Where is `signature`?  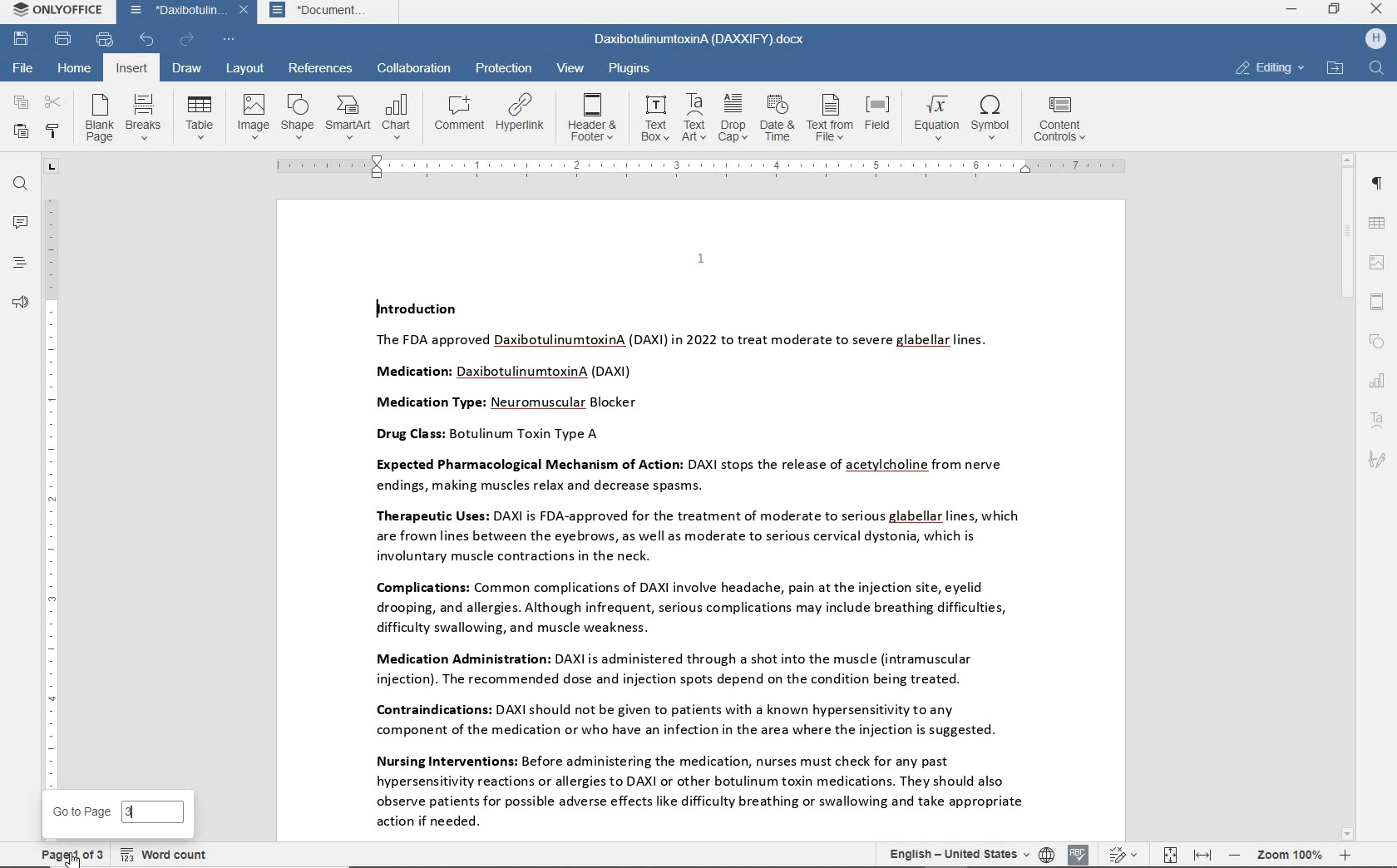
signature is located at coordinates (1377, 461).